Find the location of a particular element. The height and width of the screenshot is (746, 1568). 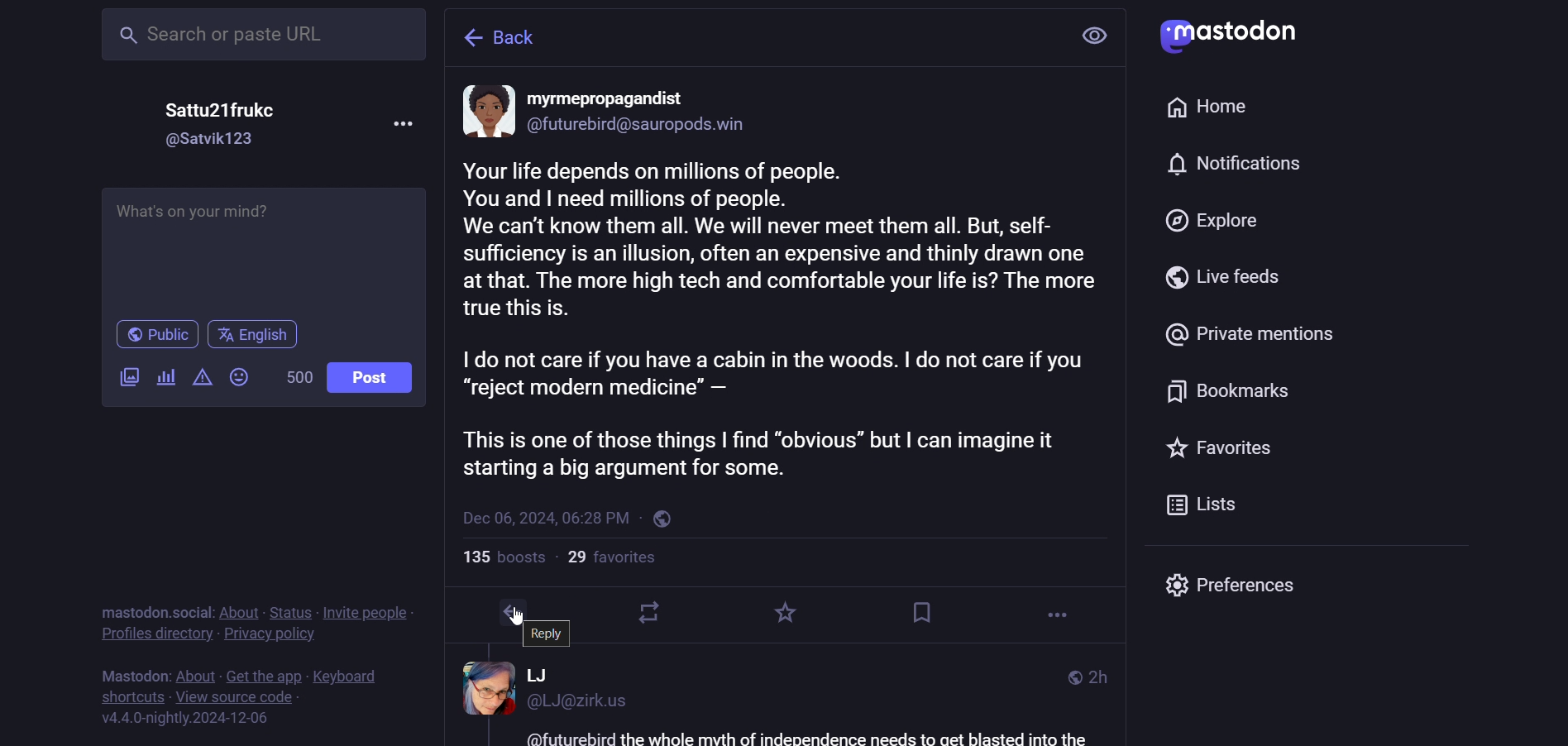

poll is located at coordinates (165, 377).